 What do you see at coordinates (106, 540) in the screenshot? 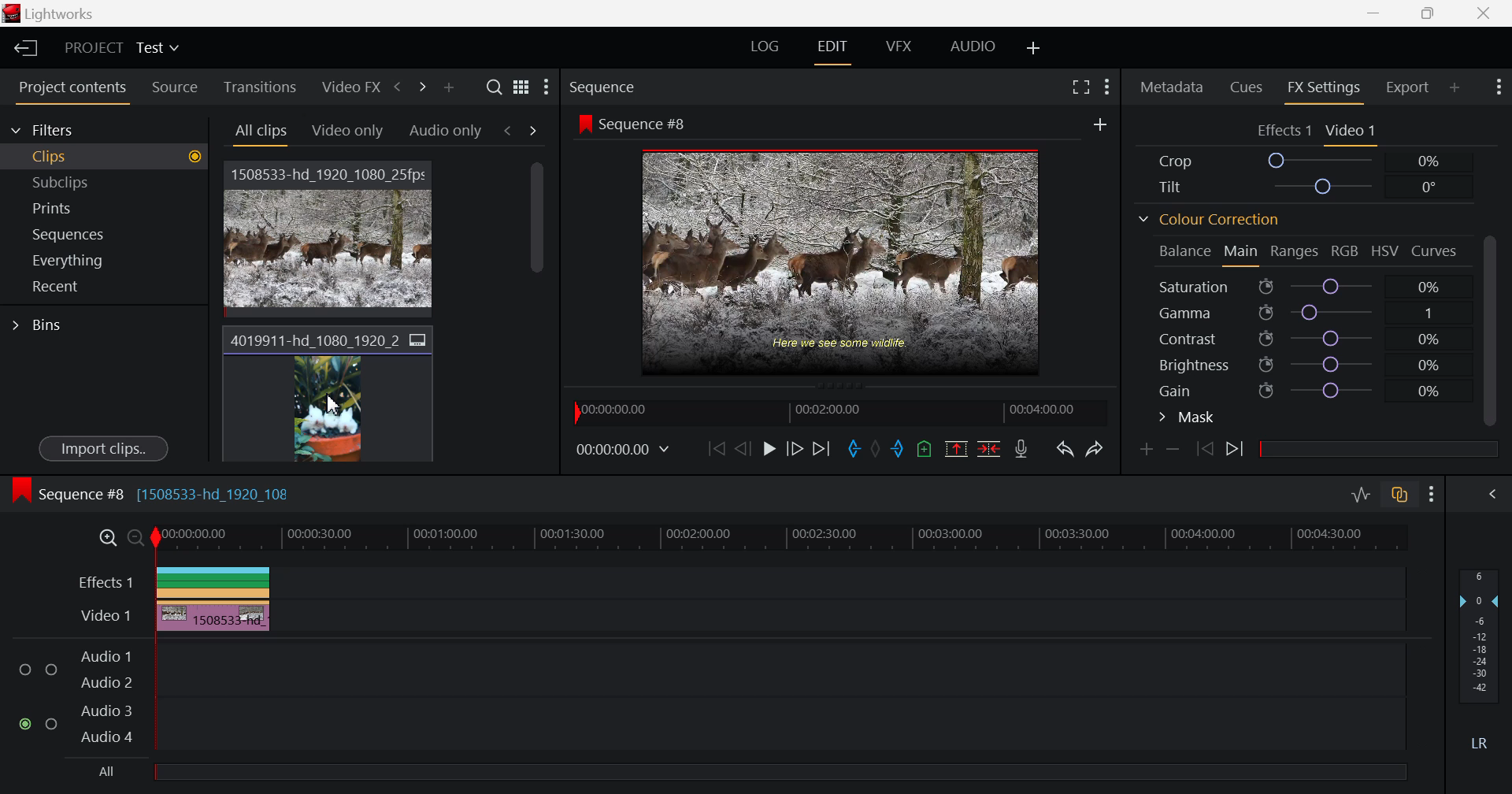
I see `Timeline Zoom In` at bounding box center [106, 540].